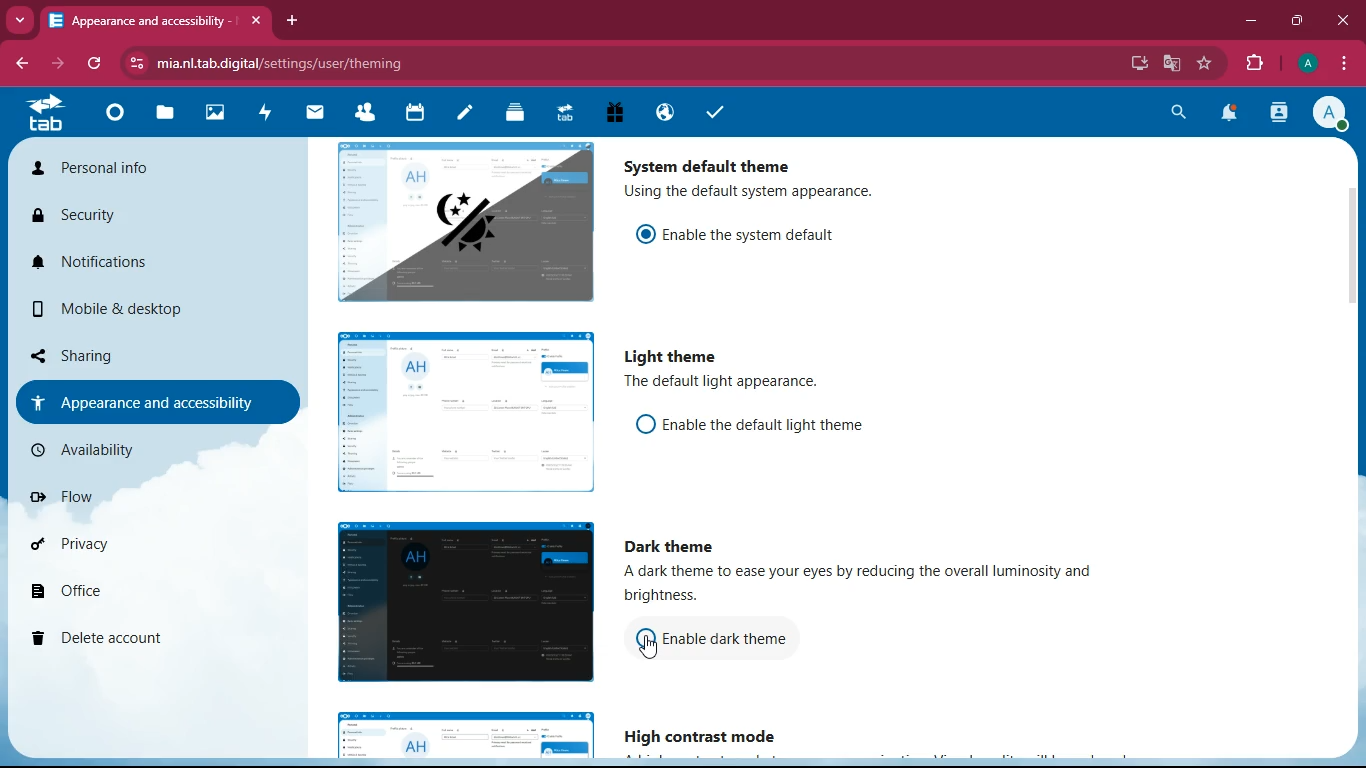  What do you see at coordinates (466, 220) in the screenshot?
I see `image` at bounding box center [466, 220].